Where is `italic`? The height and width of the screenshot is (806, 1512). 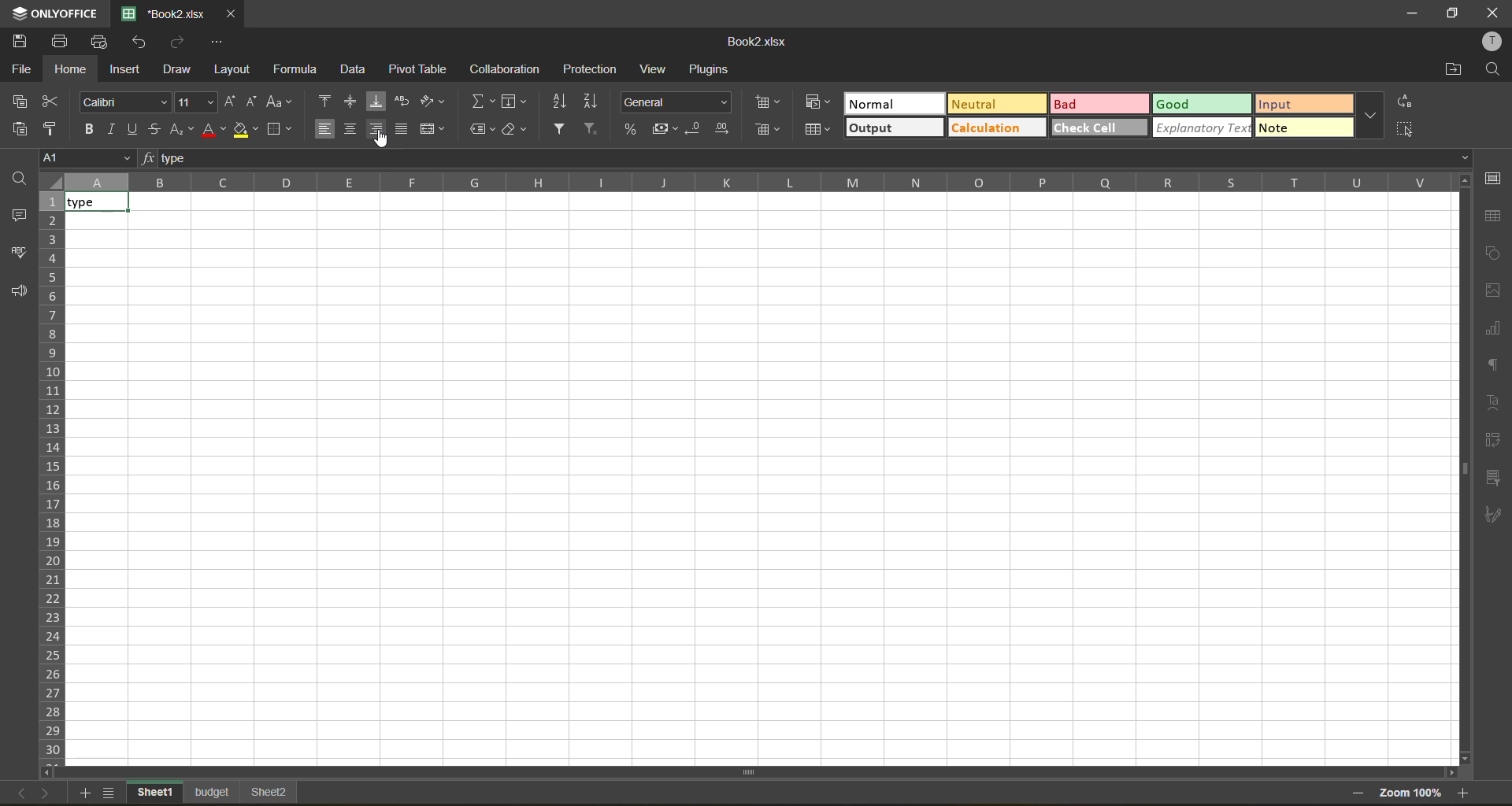
italic is located at coordinates (113, 130).